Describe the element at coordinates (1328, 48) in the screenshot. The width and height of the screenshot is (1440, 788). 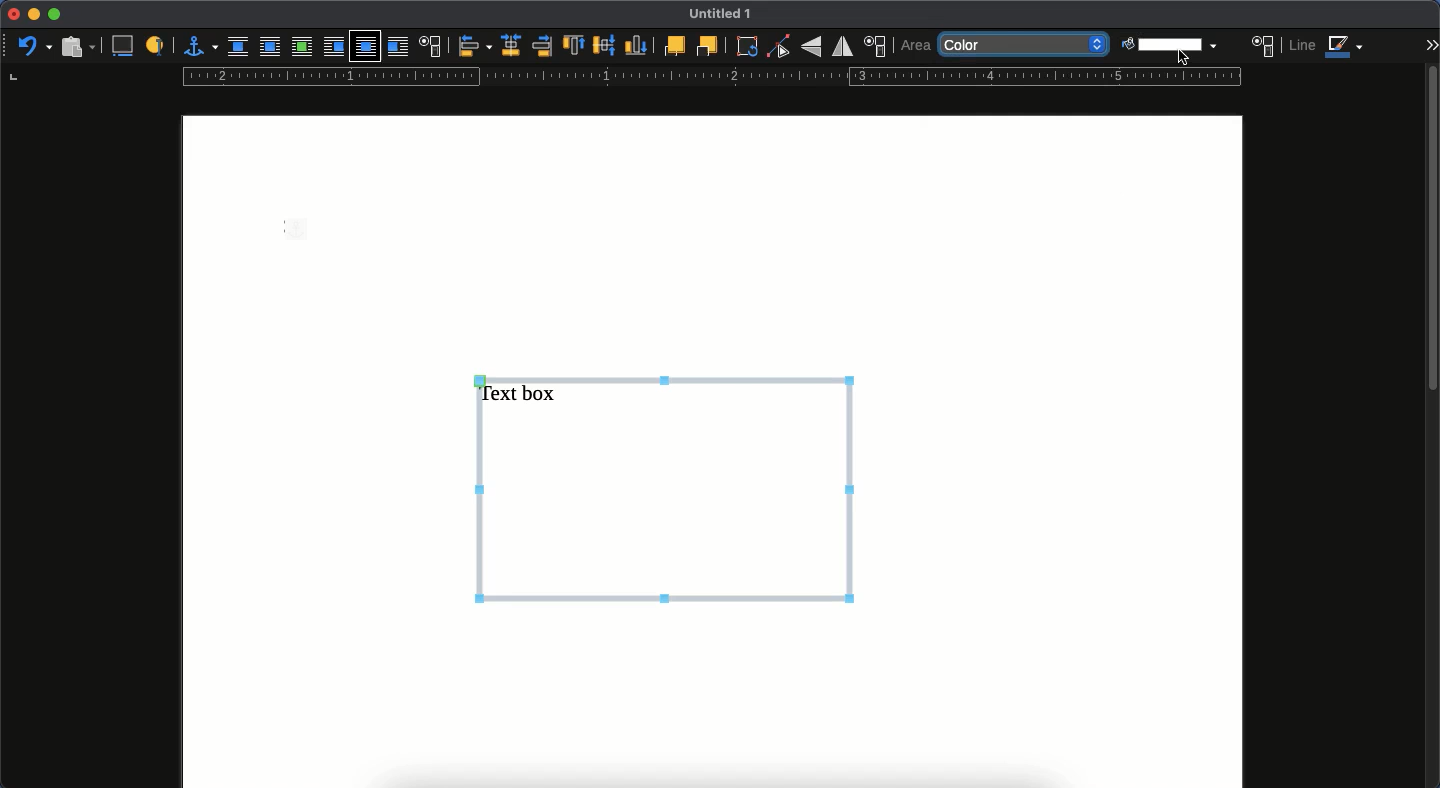
I see `line color` at that location.